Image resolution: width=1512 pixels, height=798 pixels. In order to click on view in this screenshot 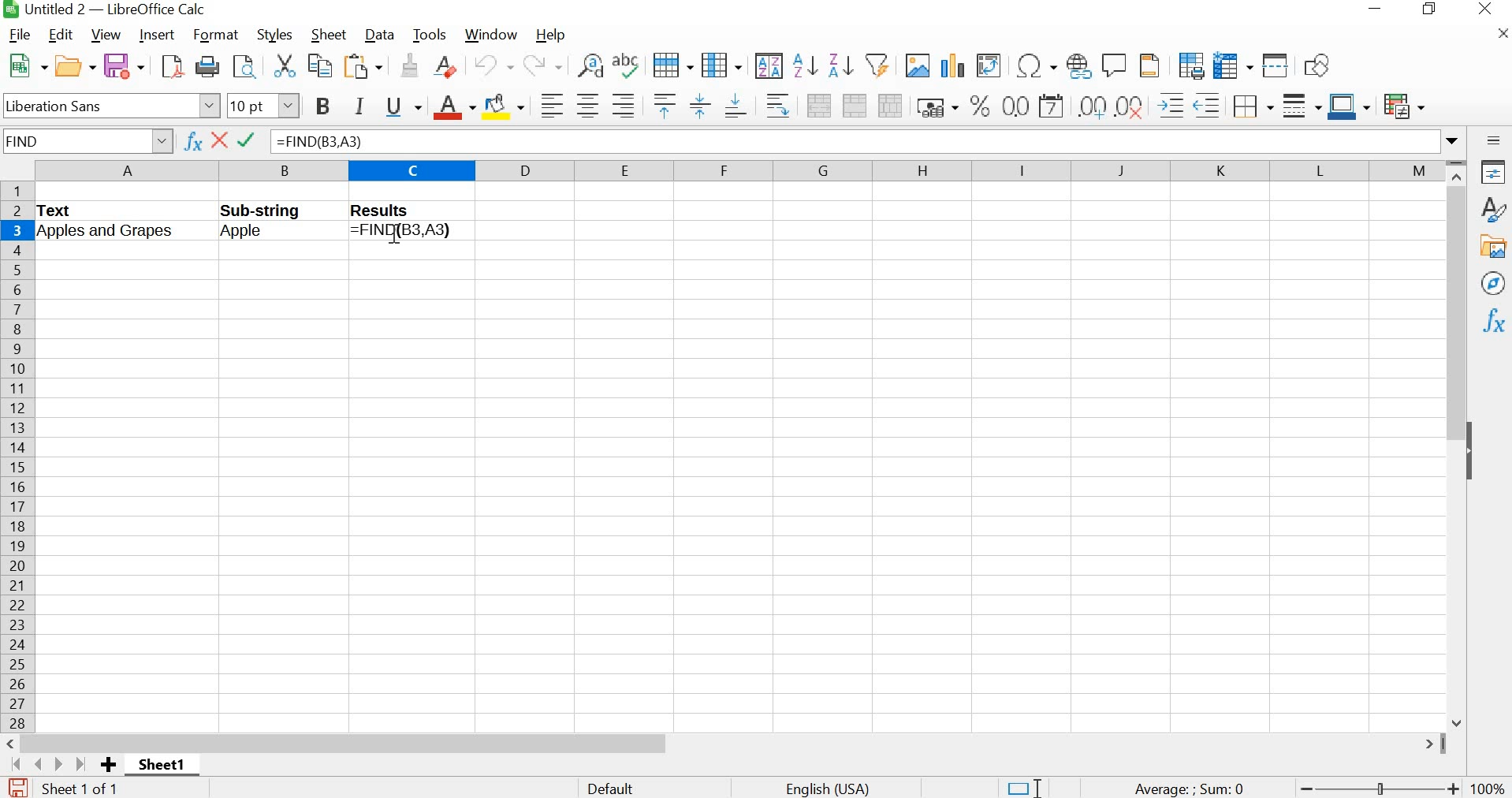, I will do `click(103, 34)`.